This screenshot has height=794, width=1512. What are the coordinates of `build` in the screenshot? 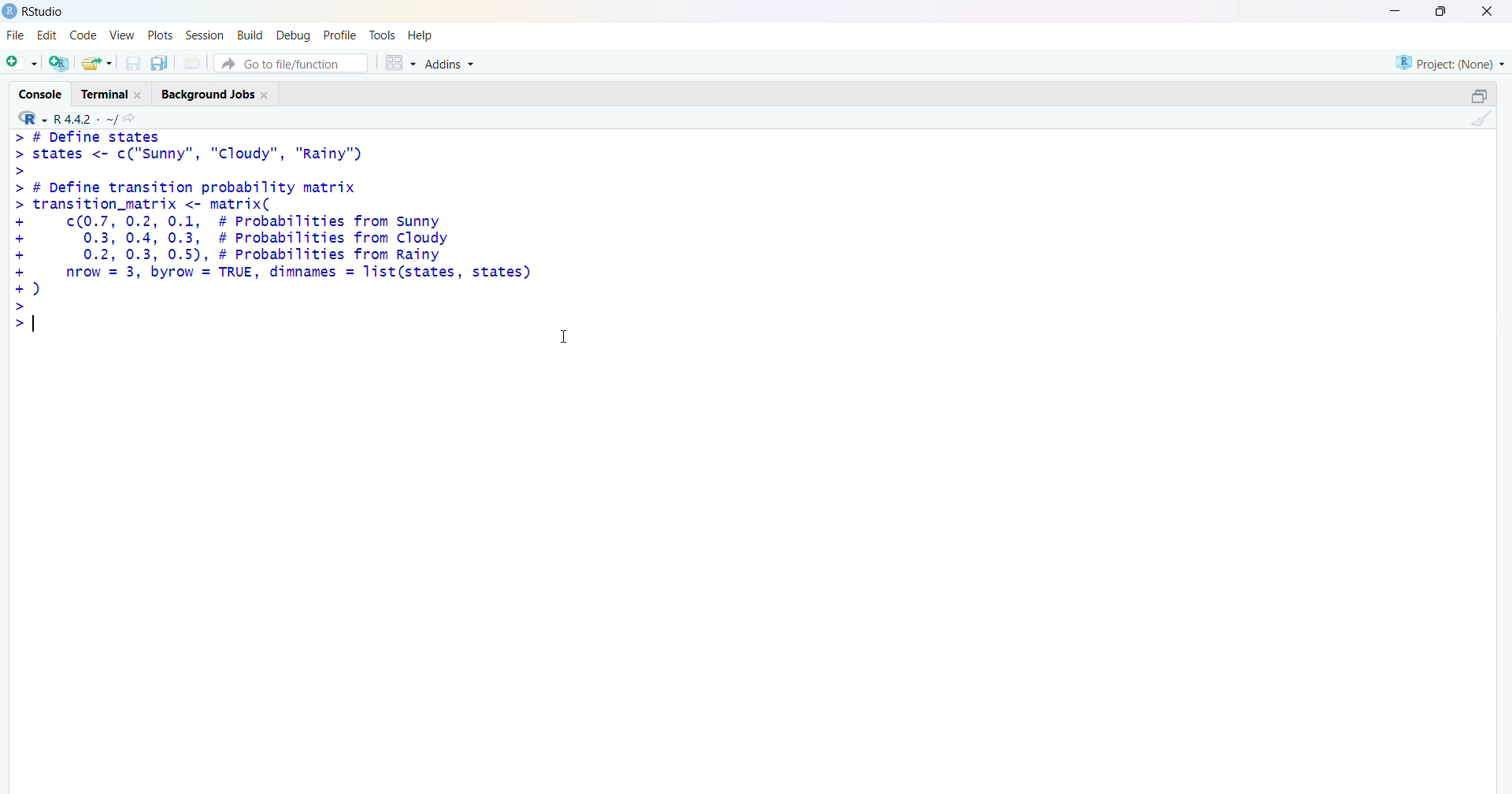 It's located at (250, 35).